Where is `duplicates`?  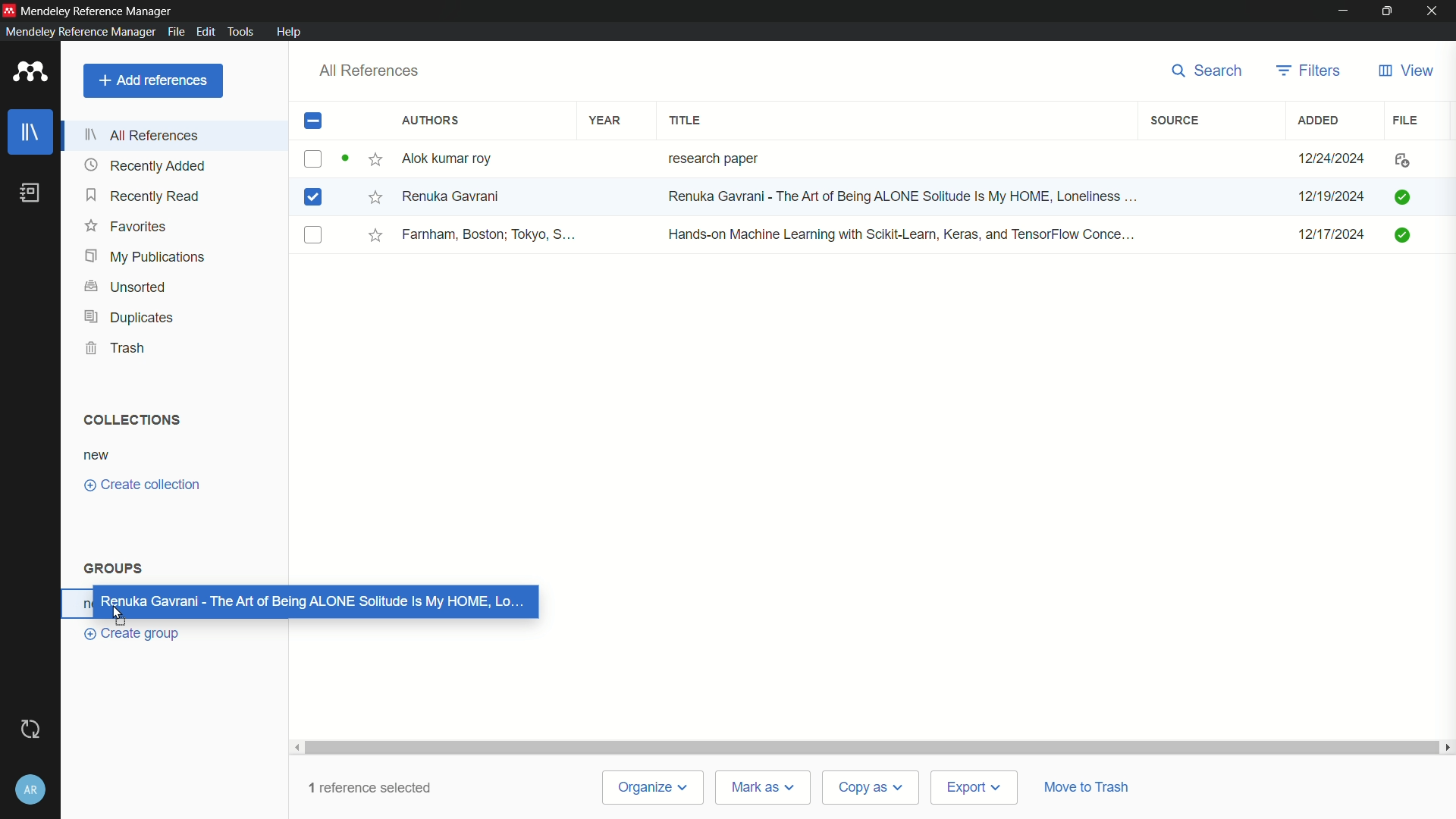
duplicates is located at coordinates (128, 318).